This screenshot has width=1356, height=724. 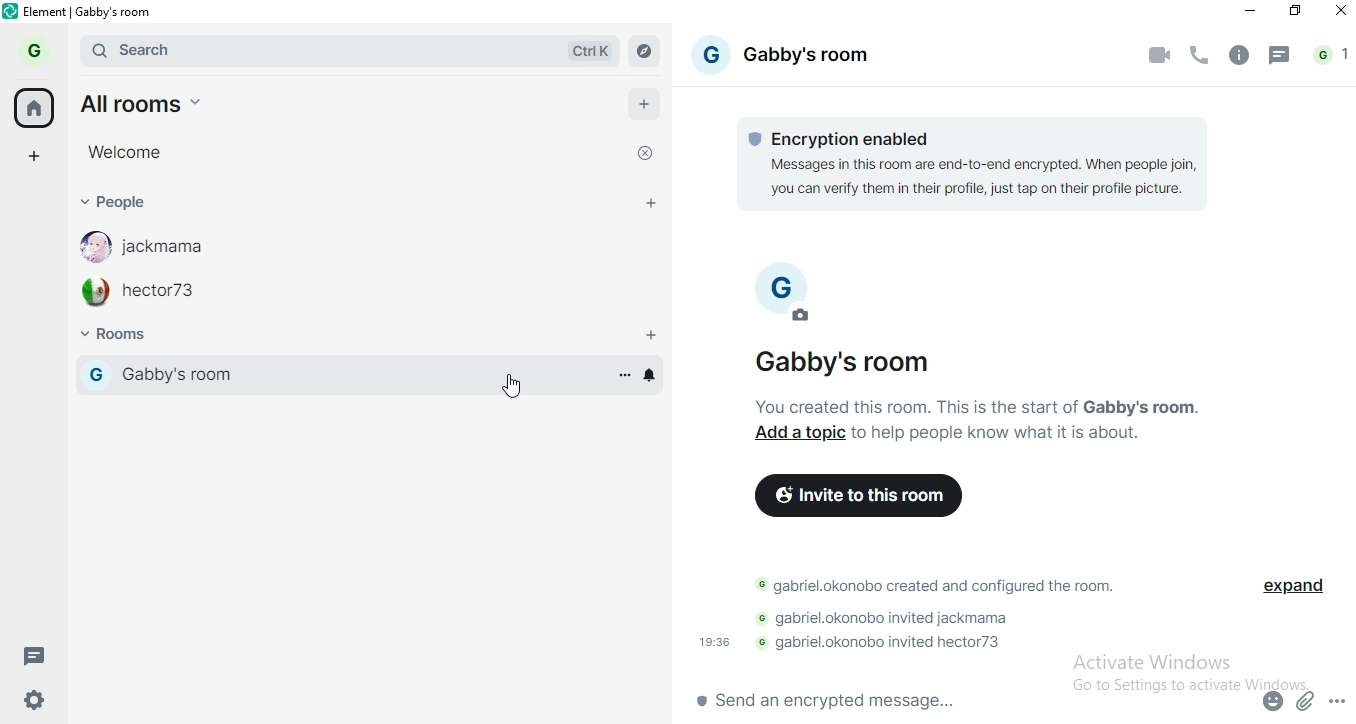 I want to click on text 3, so click(x=931, y=589).